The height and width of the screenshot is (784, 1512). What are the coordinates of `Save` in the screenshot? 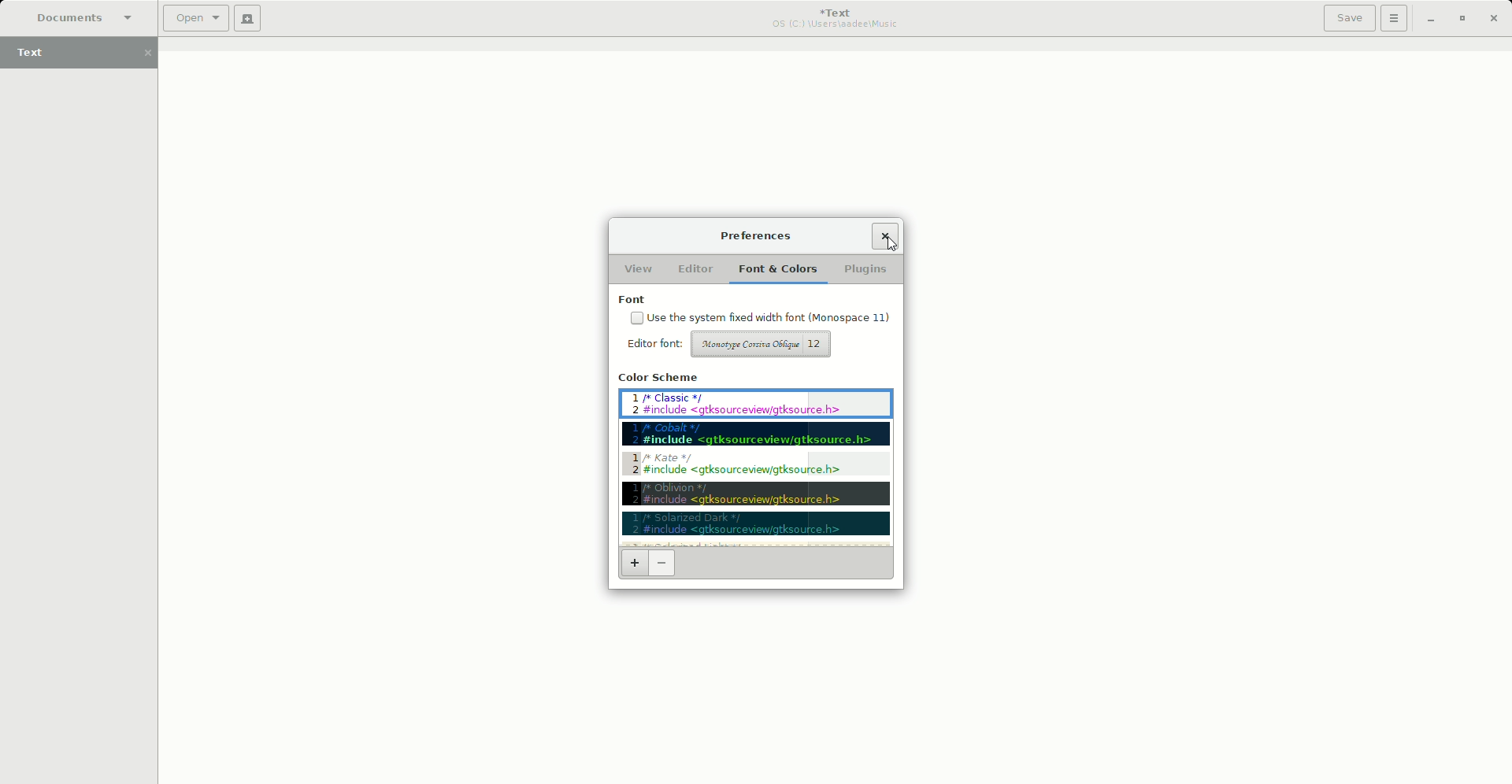 It's located at (1349, 18).